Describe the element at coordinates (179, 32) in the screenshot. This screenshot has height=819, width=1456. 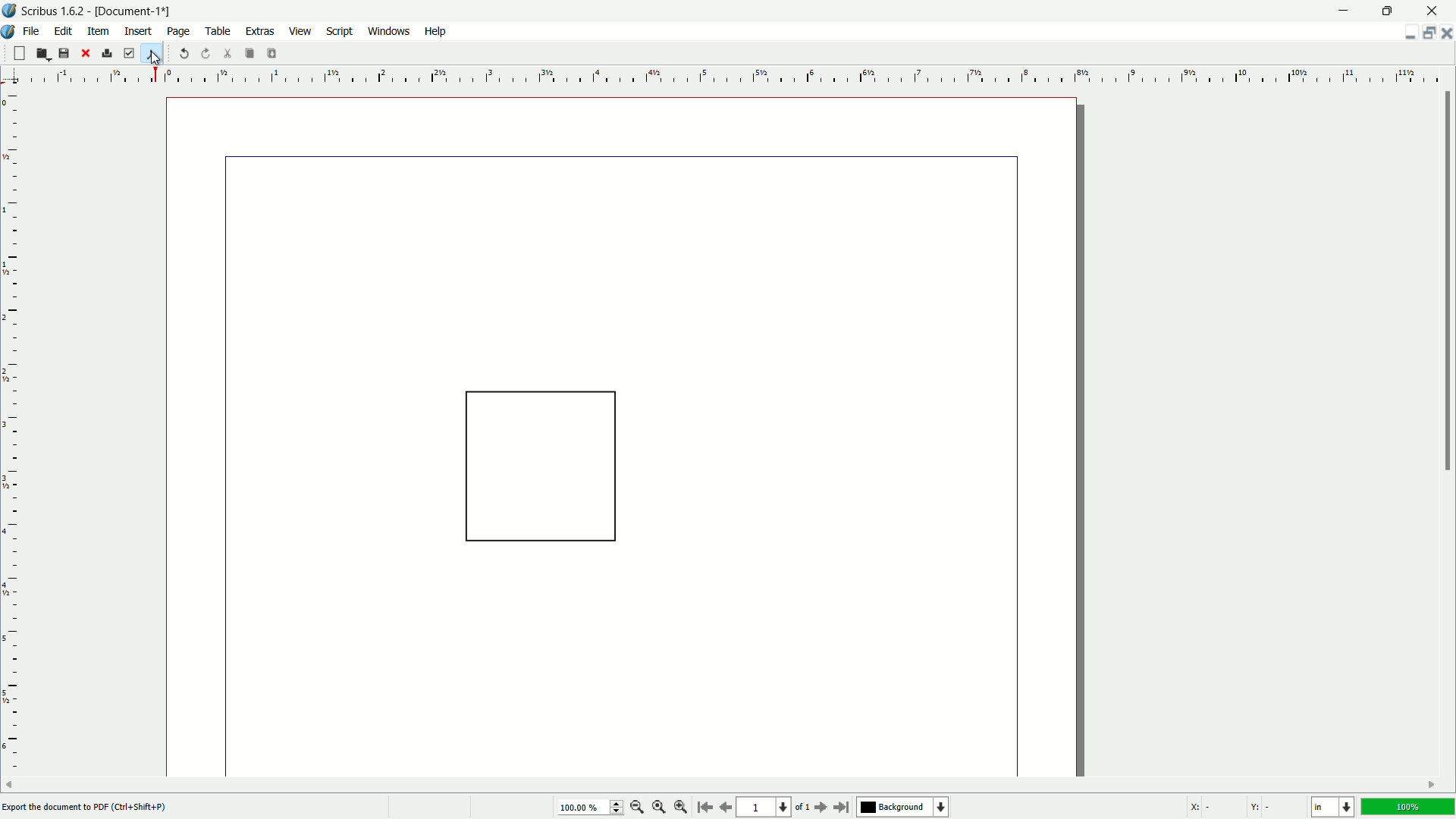
I see `page menu` at that location.